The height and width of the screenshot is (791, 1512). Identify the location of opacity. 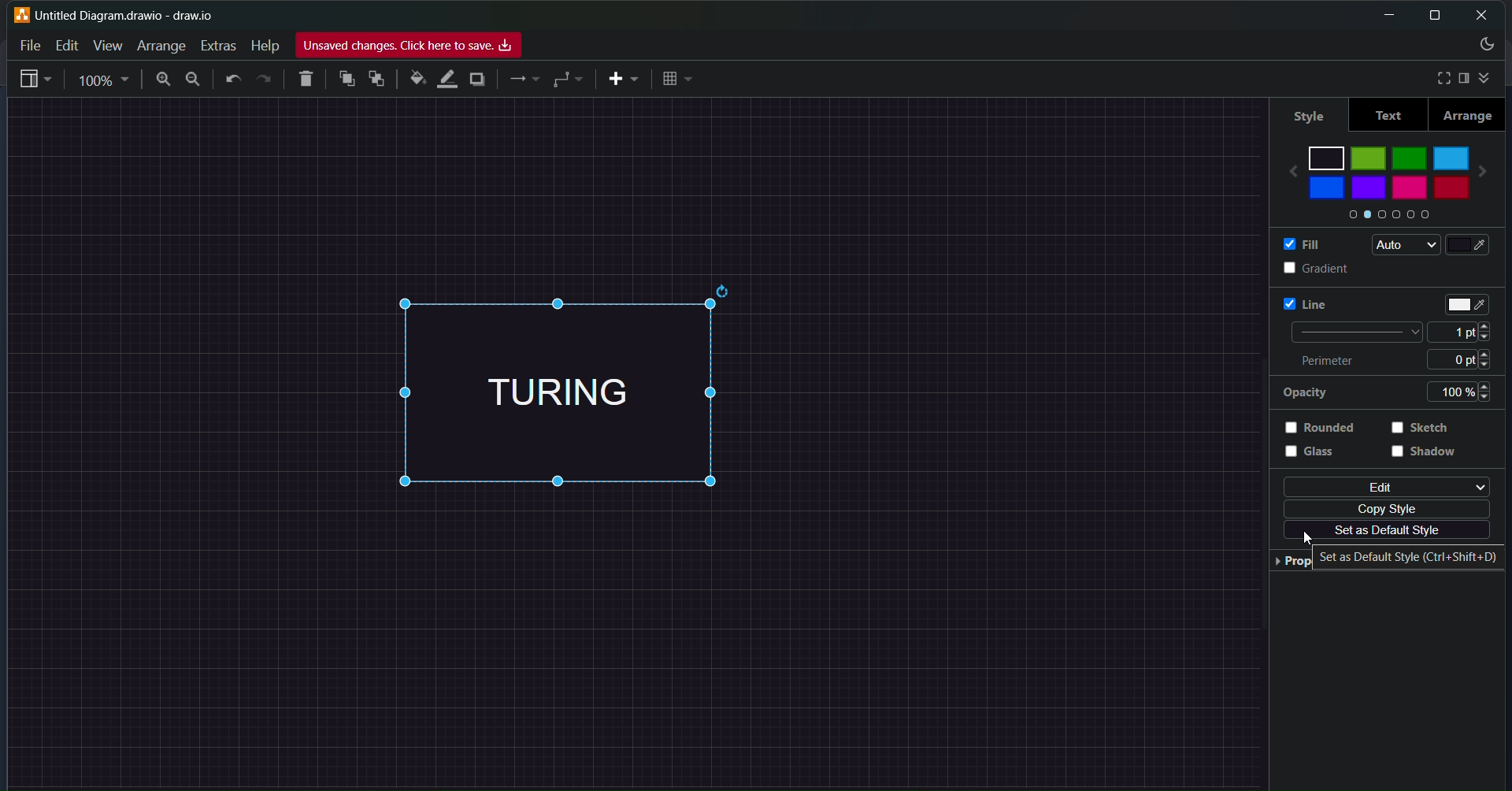
(1304, 393).